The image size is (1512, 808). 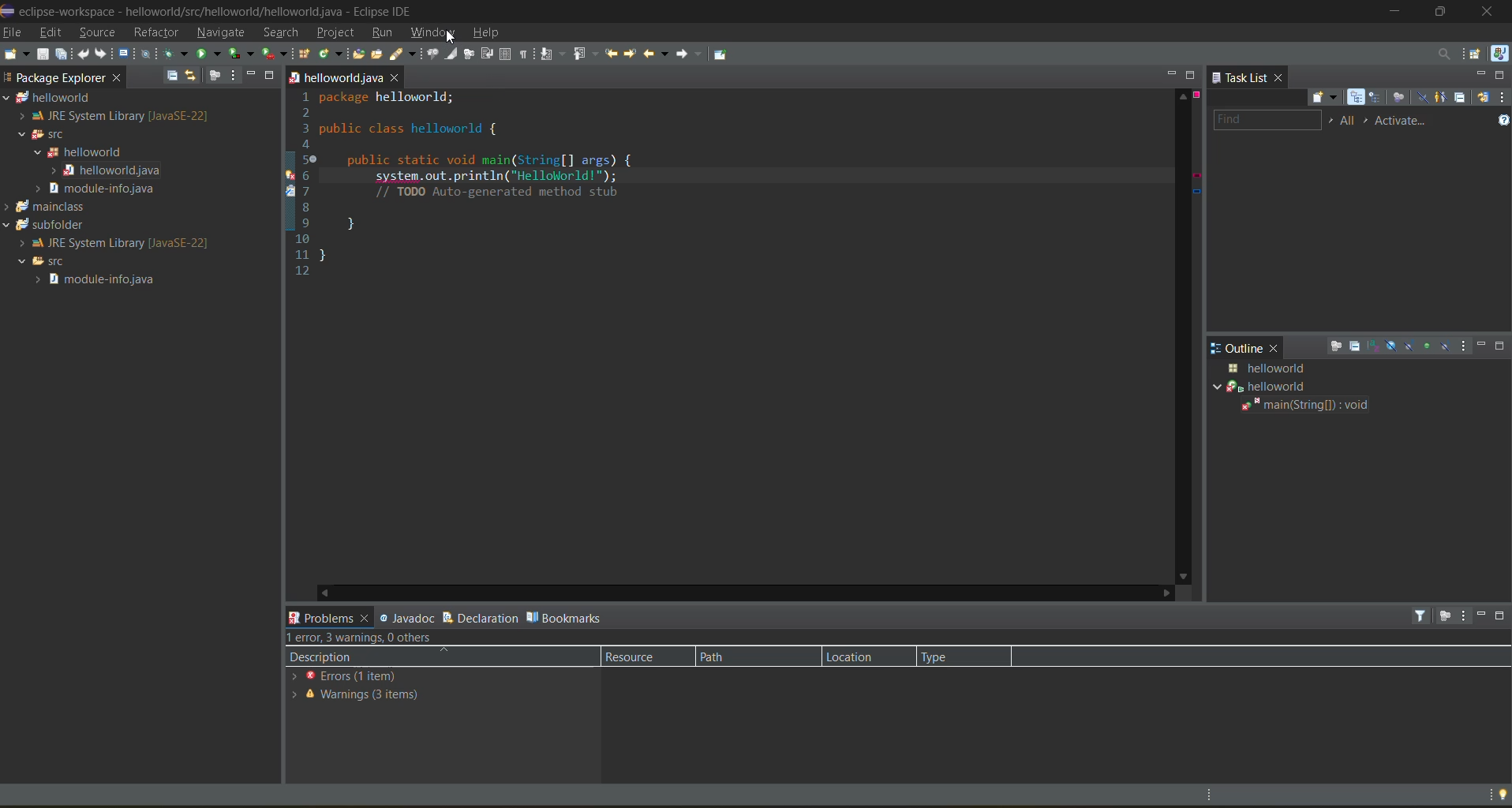 What do you see at coordinates (582, 616) in the screenshot?
I see `bookmarks` at bounding box center [582, 616].